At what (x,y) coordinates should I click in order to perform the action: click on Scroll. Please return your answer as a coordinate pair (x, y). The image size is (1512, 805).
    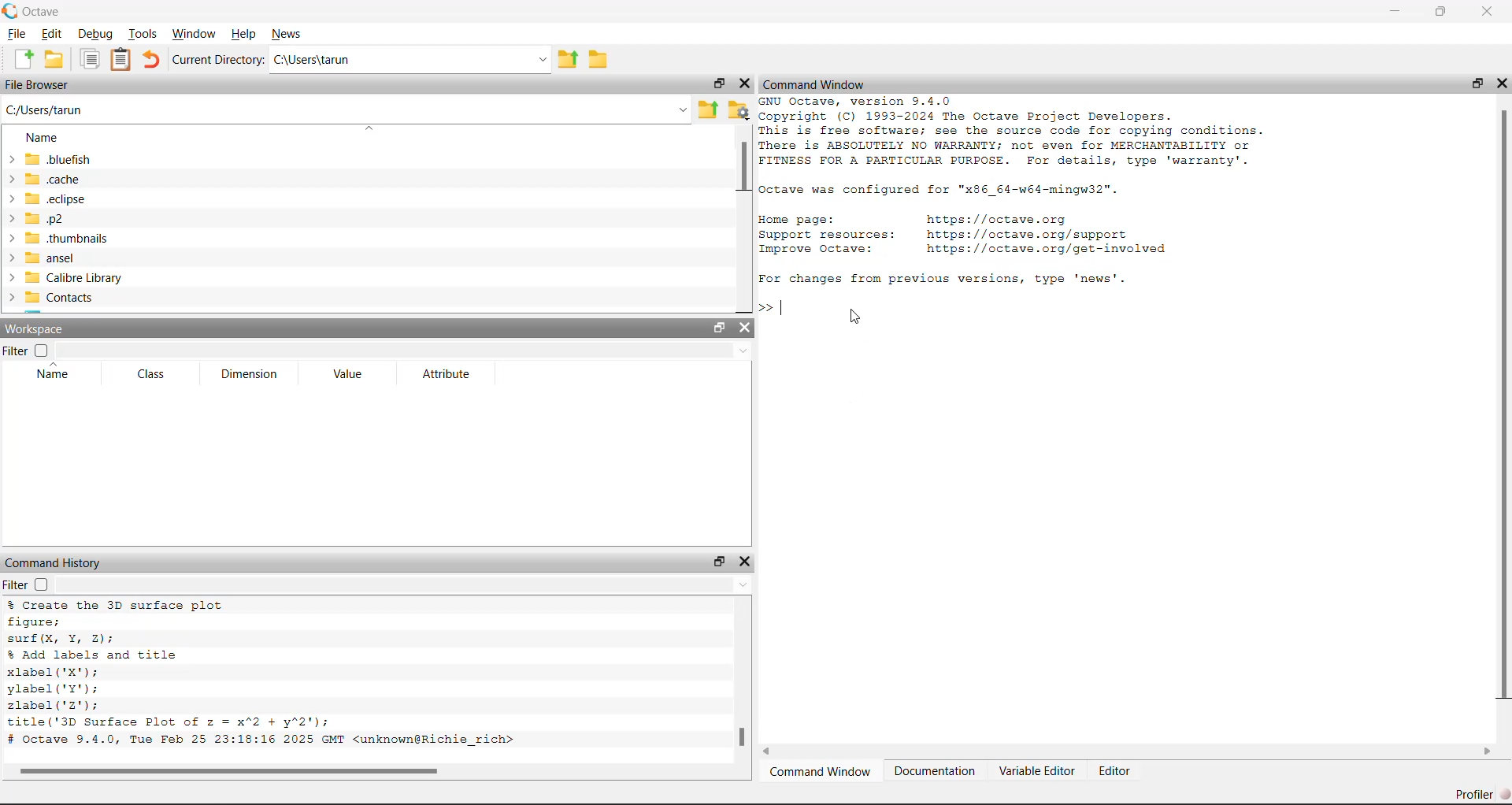
    Looking at the image, I should click on (743, 219).